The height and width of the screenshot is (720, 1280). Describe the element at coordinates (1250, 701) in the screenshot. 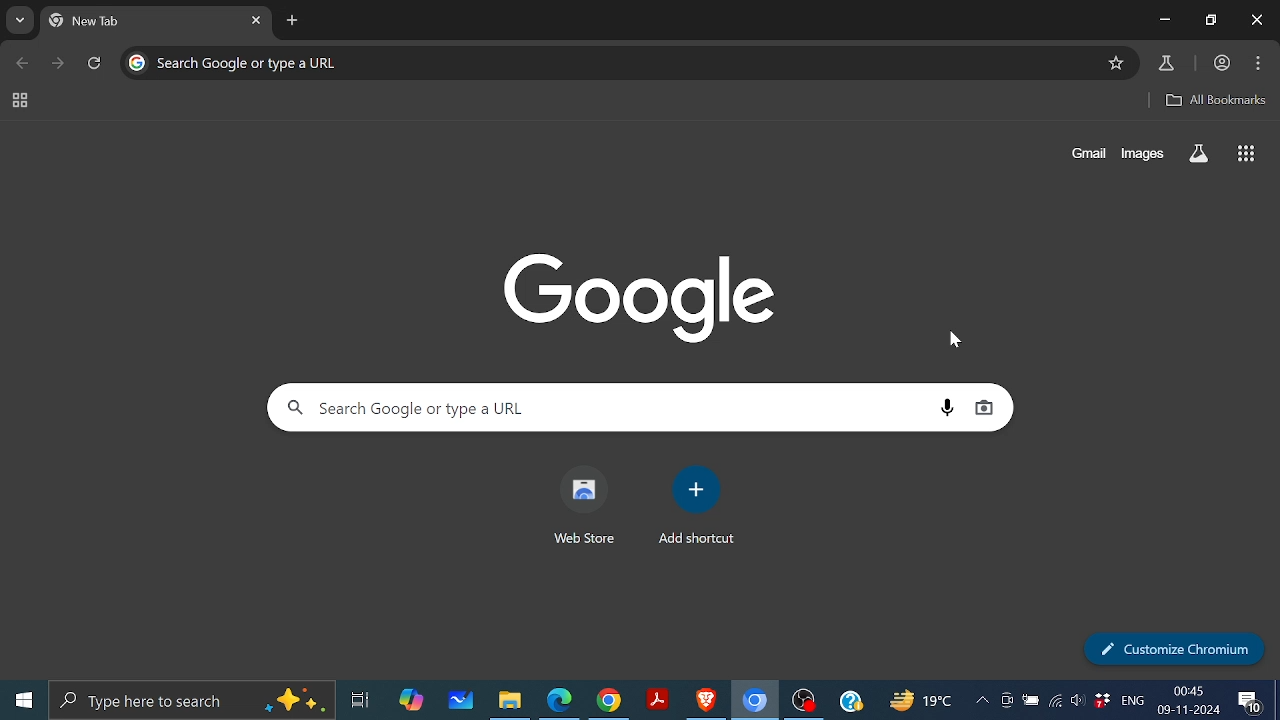

I see `Notifications` at that location.